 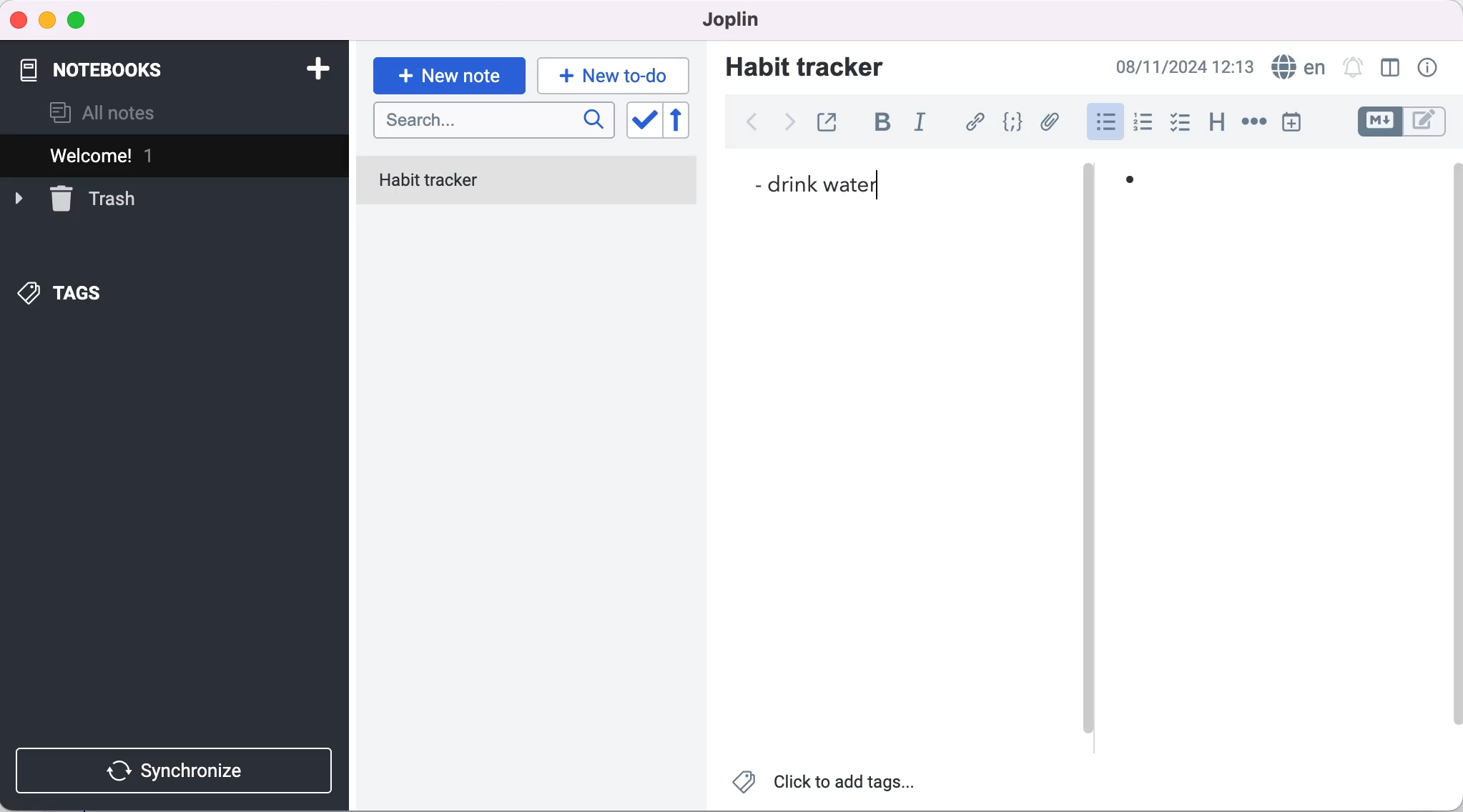 What do you see at coordinates (103, 113) in the screenshot?
I see `all notes` at bounding box center [103, 113].